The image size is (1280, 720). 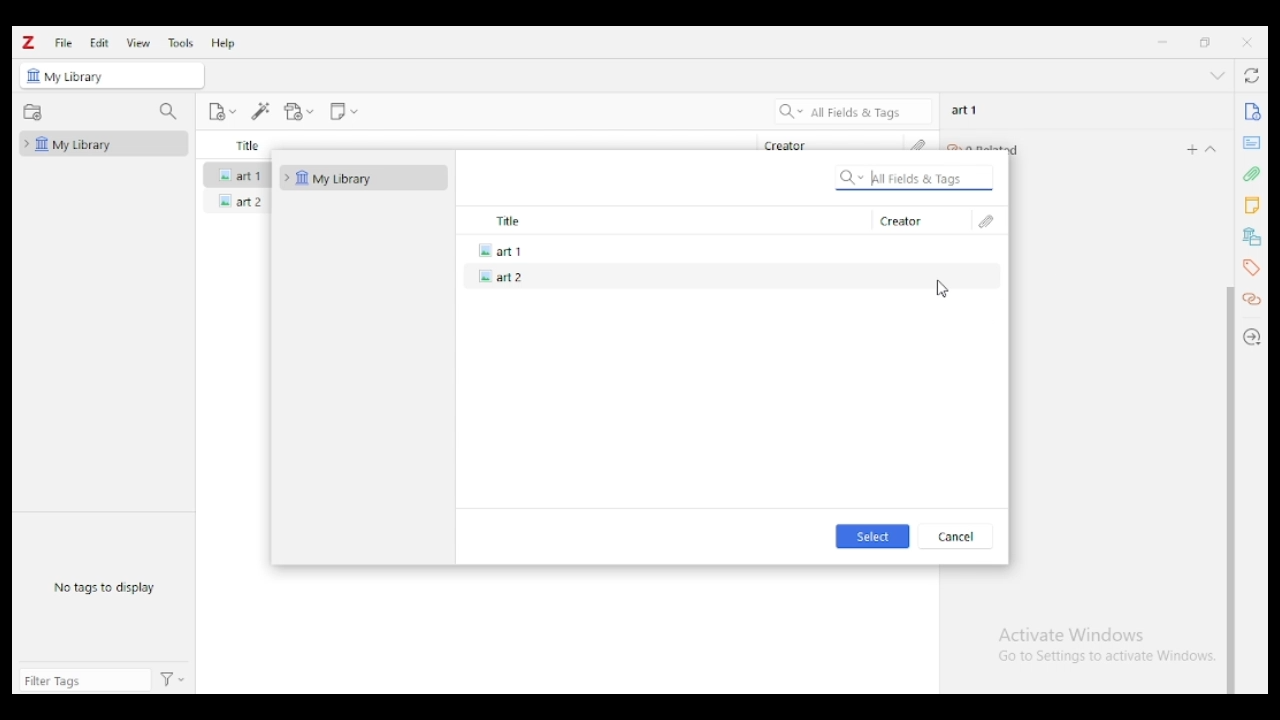 What do you see at coordinates (1230, 490) in the screenshot?
I see `vertical scroll bar` at bounding box center [1230, 490].